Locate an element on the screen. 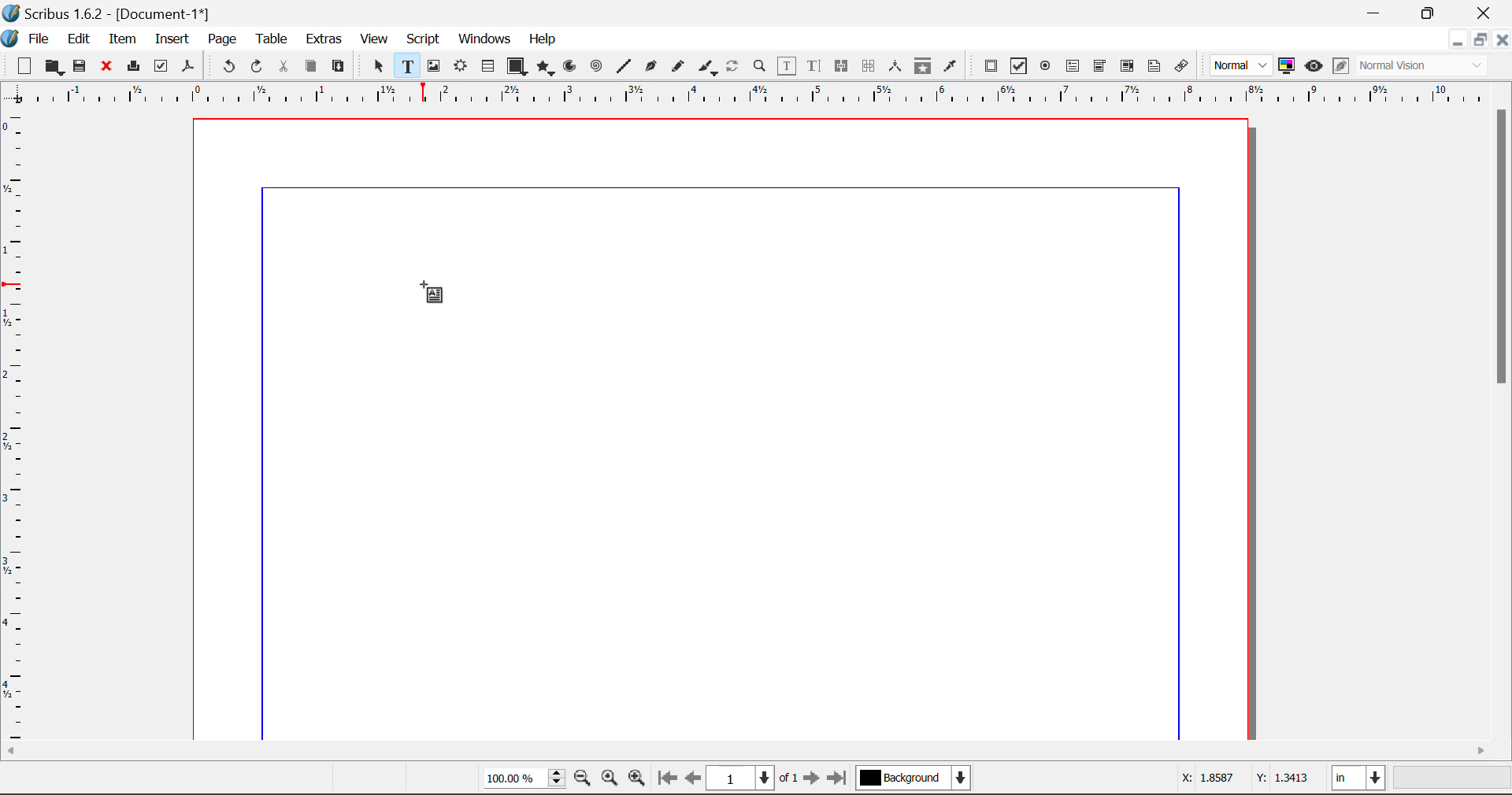 The width and height of the screenshot is (1512, 795). Minimize is located at coordinates (1431, 12).